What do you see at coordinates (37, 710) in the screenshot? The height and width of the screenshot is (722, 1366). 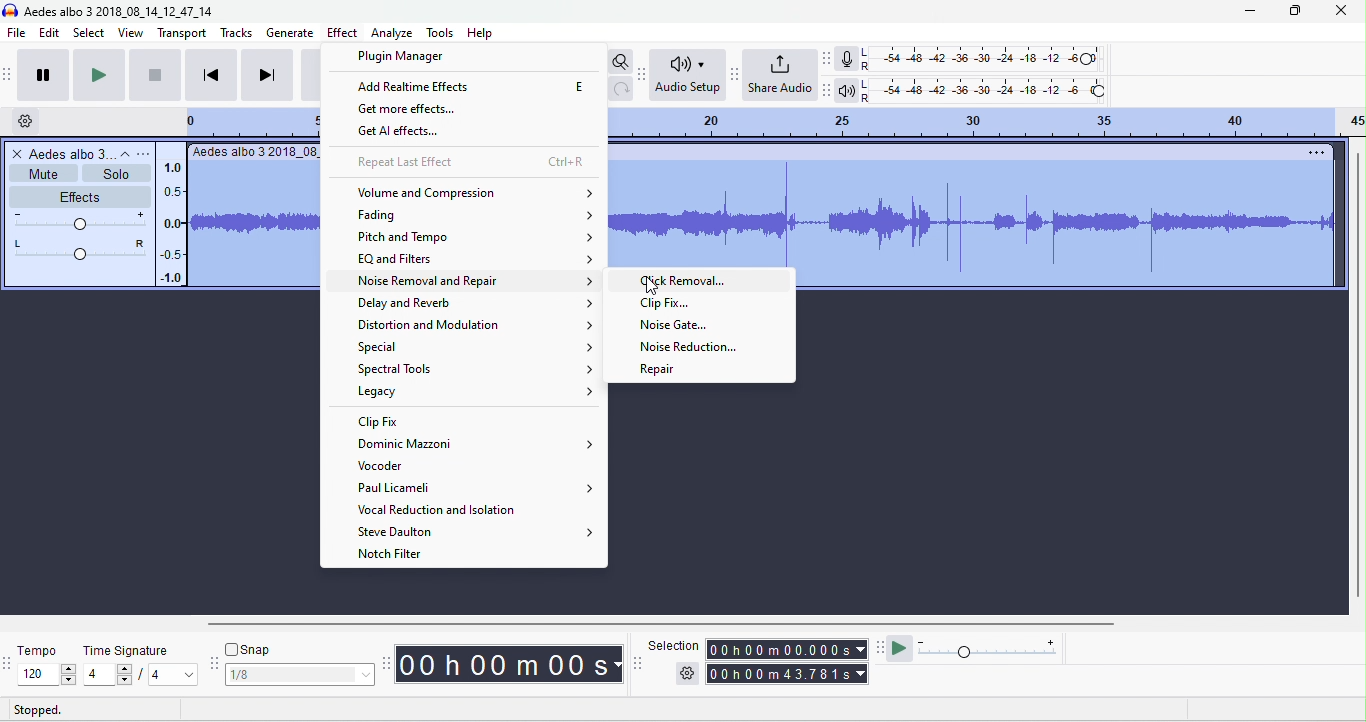 I see `stopped` at bounding box center [37, 710].